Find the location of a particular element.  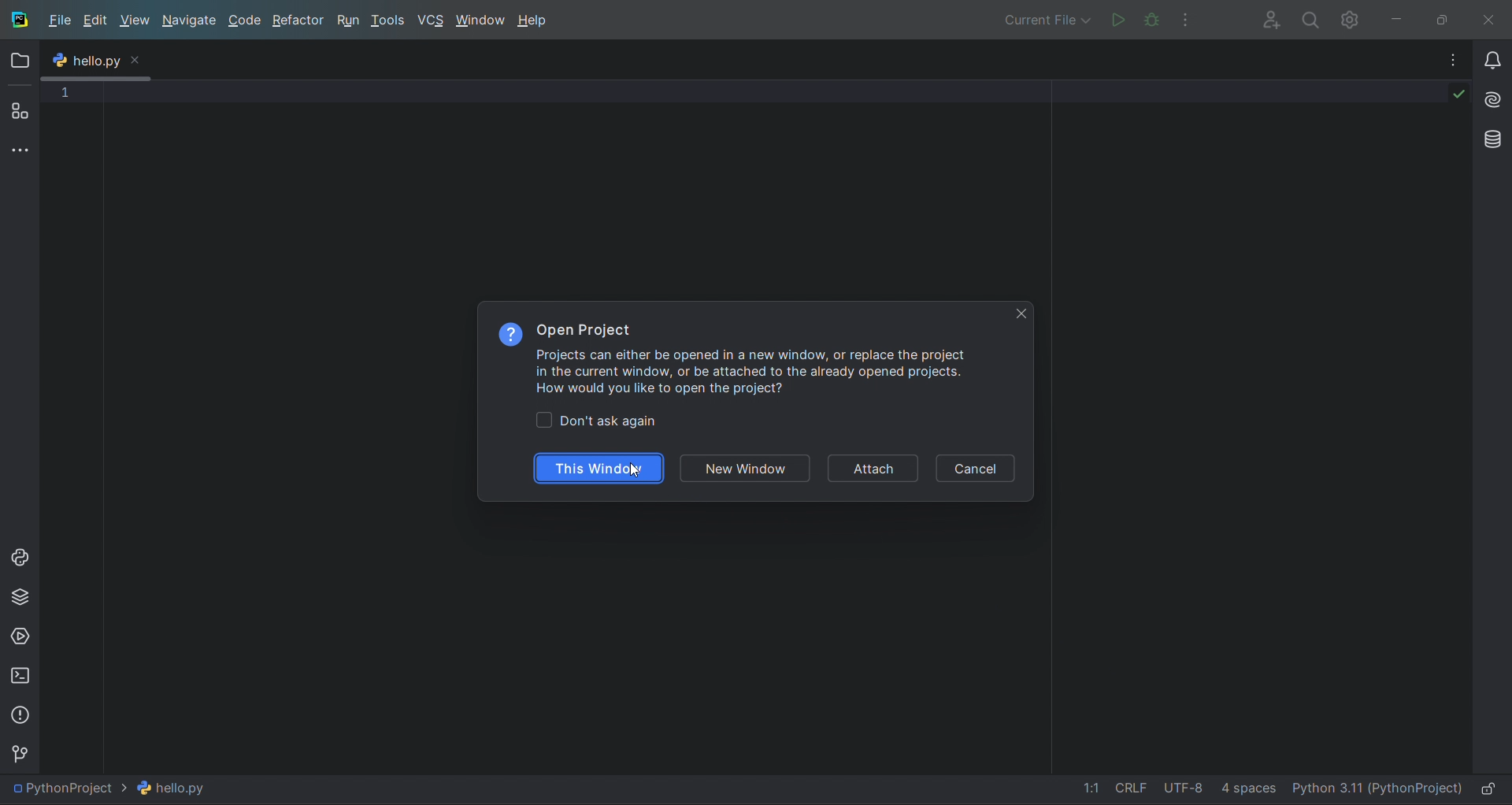

window is located at coordinates (479, 20).